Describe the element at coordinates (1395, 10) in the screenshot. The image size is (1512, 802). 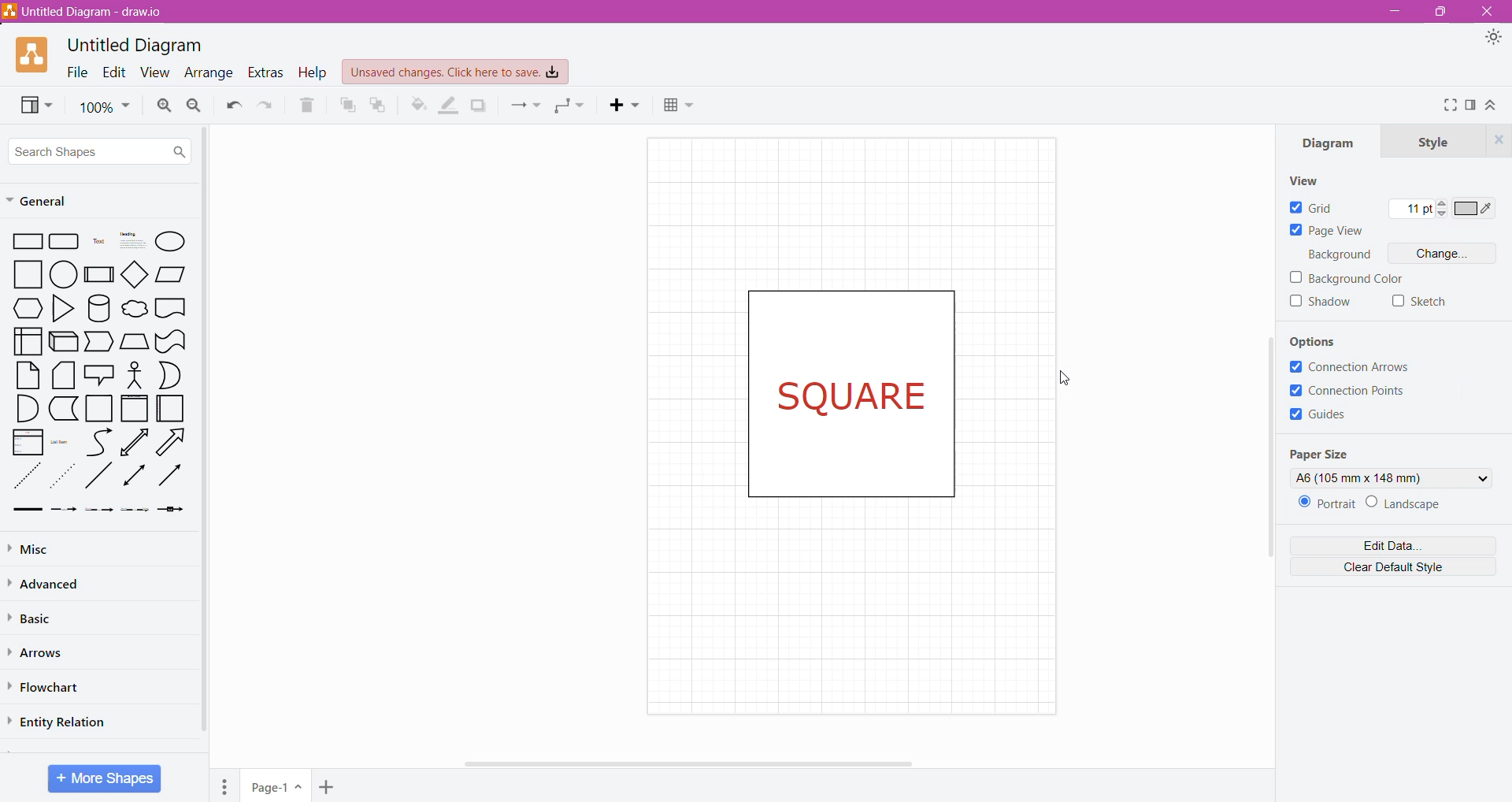
I see `Minimize` at that location.